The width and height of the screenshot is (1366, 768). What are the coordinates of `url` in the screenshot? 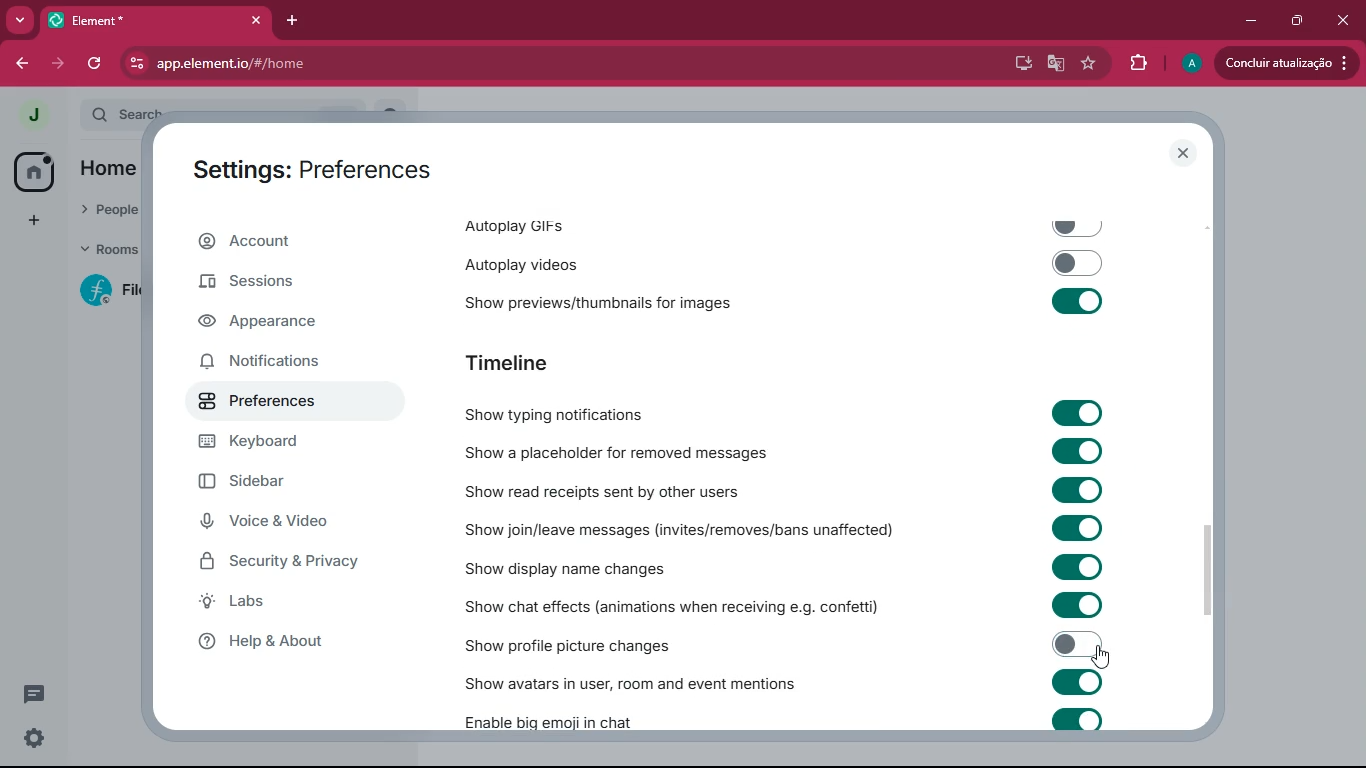 It's located at (289, 64).